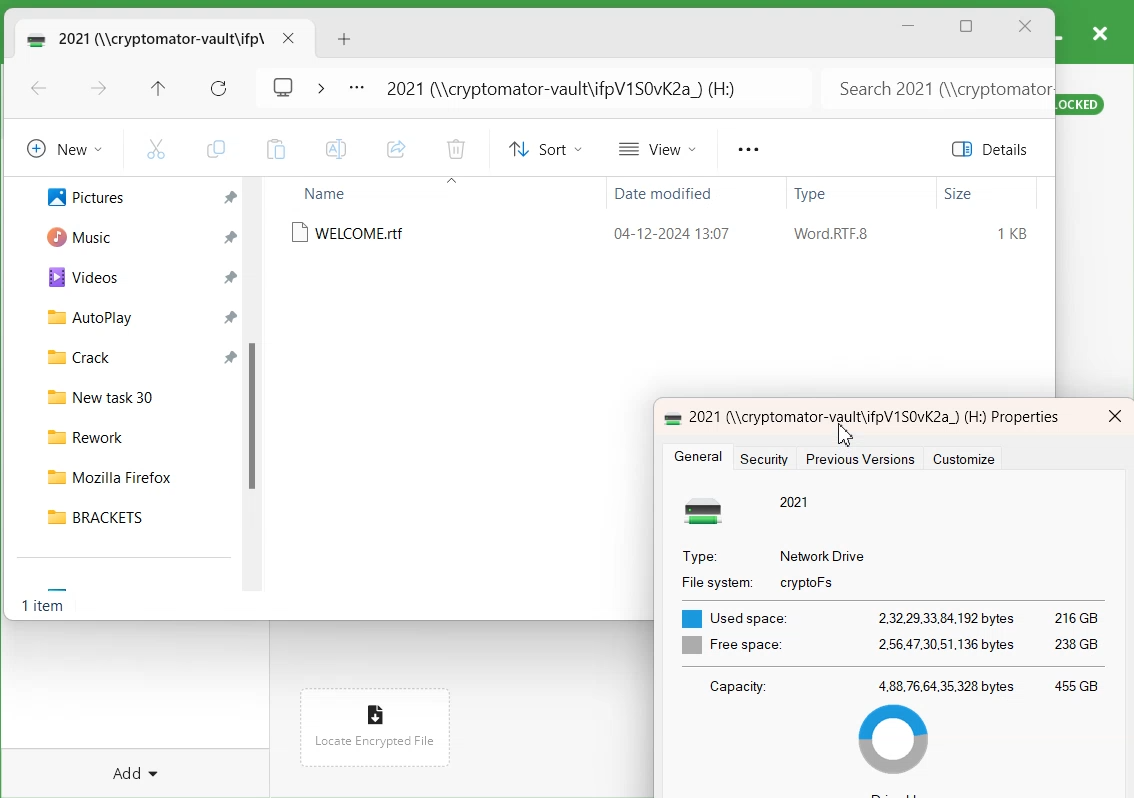  I want to click on Rework, so click(132, 434).